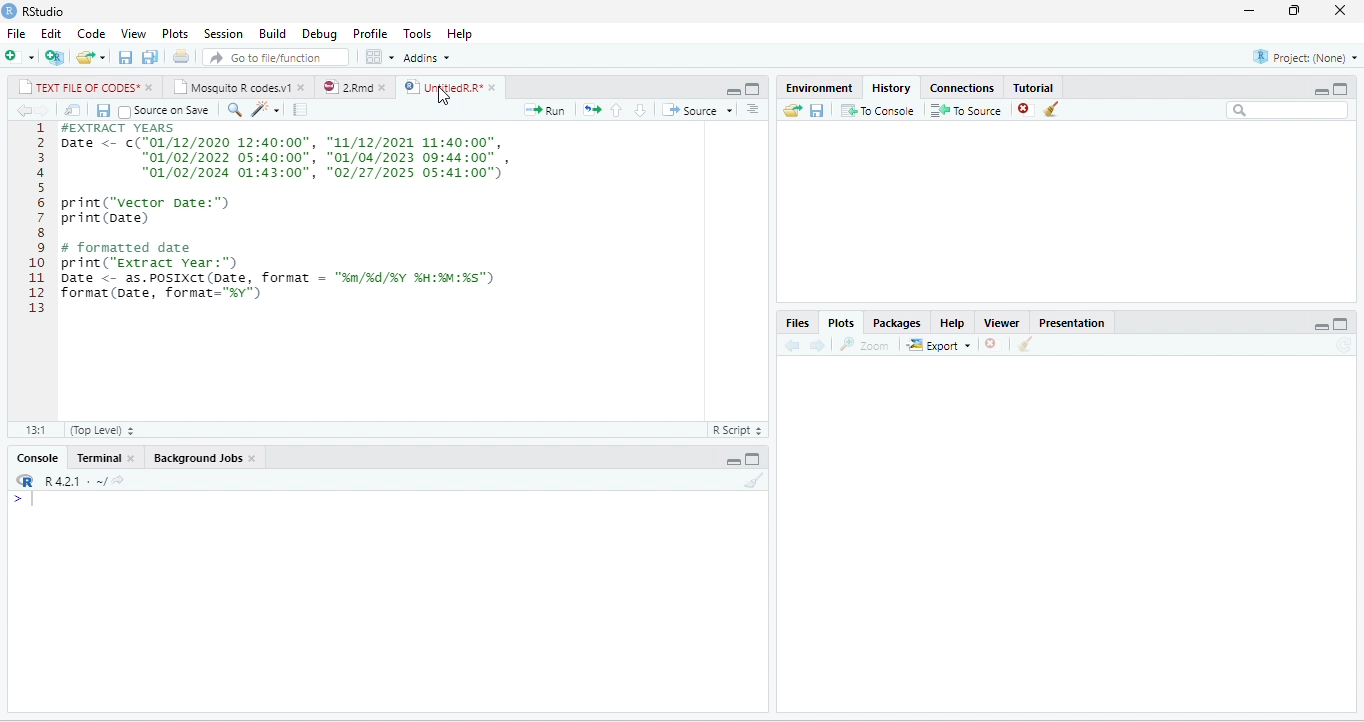  I want to click on close, so click(253, 458).